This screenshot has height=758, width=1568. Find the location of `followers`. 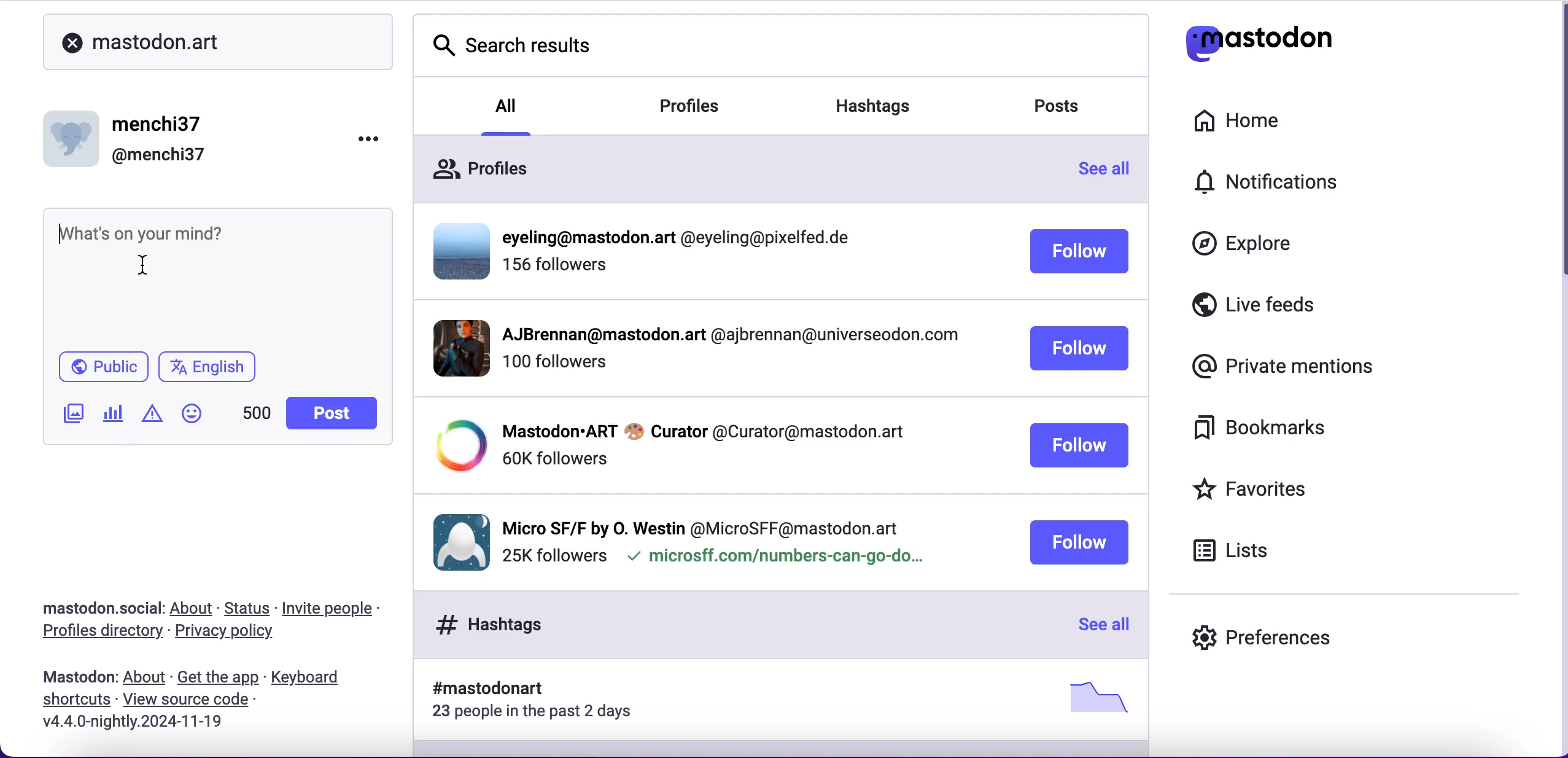

followers is located at coordinates (553, 557).